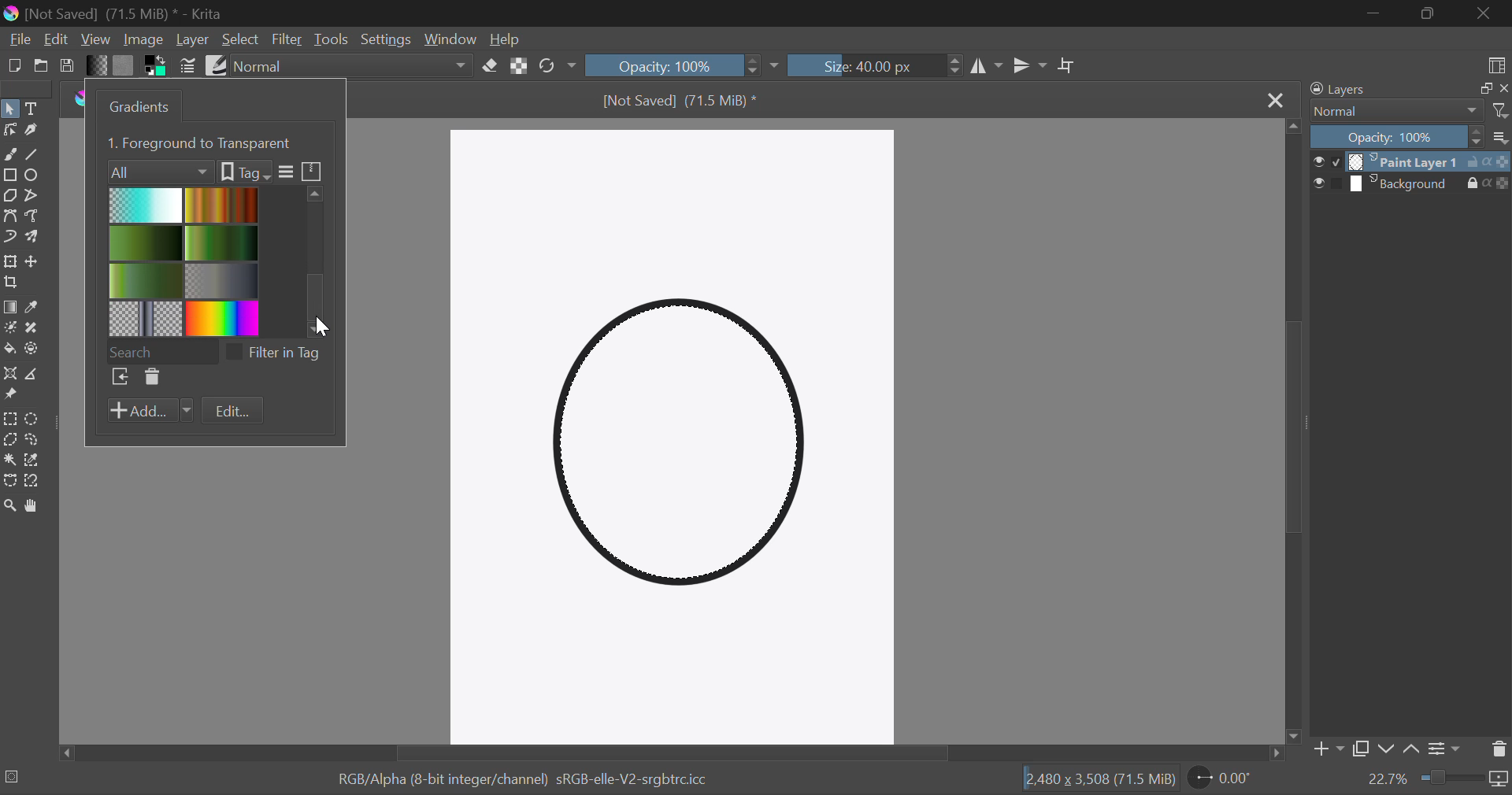 This screenshot has width=1512, height=795. Describe the element at coordinates (234, 353) in the screenshot. I see `checkbox` at that location.